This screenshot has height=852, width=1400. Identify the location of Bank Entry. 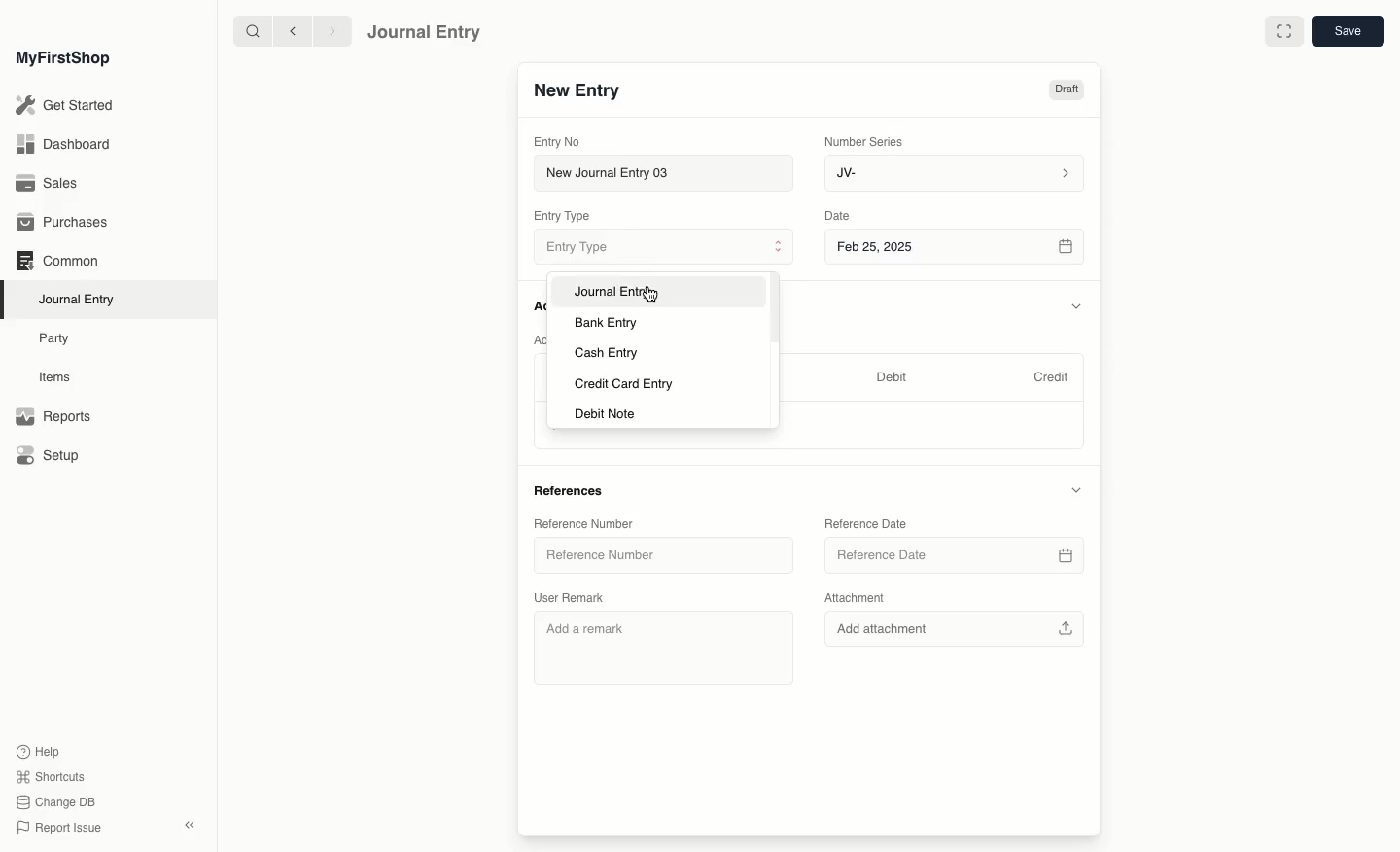
(606, 322).